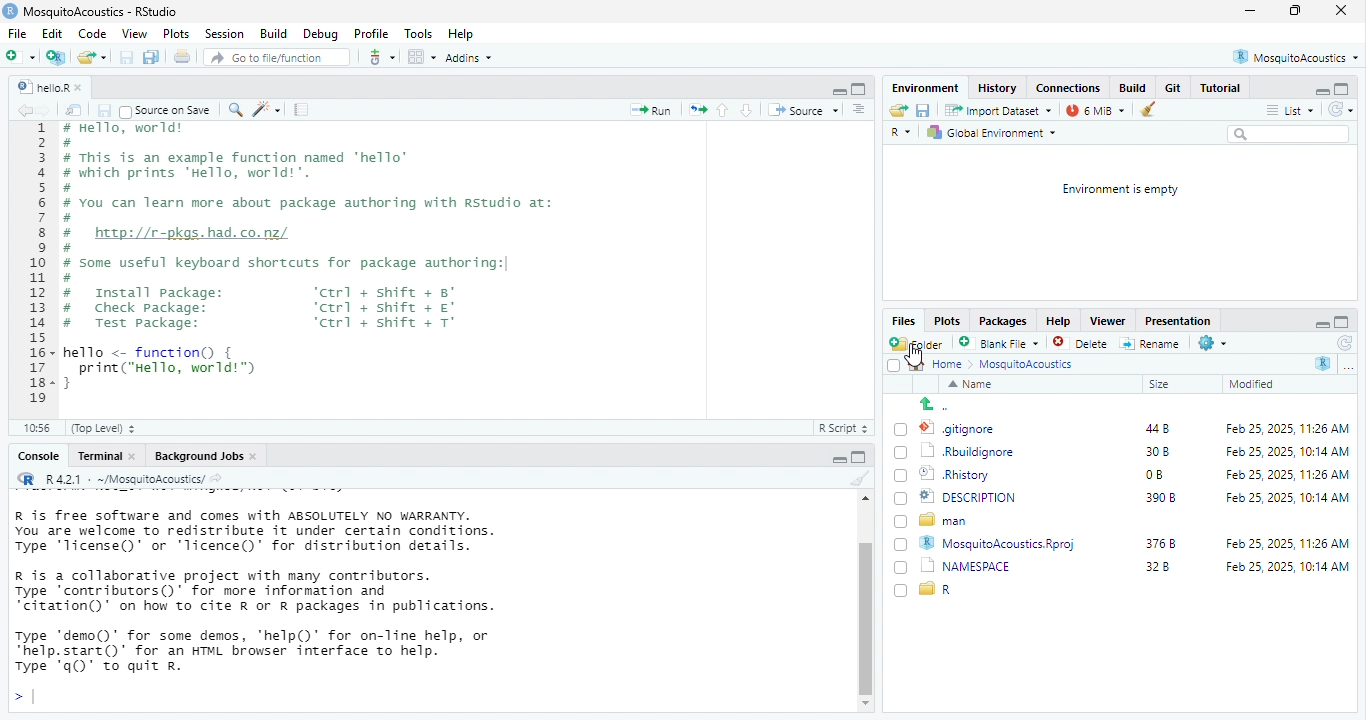 This screenshot has width=1366, height=720. What do you see at coordinates (382, 56) in the screenshot?
I see `git` at bounding box center [382, 56].